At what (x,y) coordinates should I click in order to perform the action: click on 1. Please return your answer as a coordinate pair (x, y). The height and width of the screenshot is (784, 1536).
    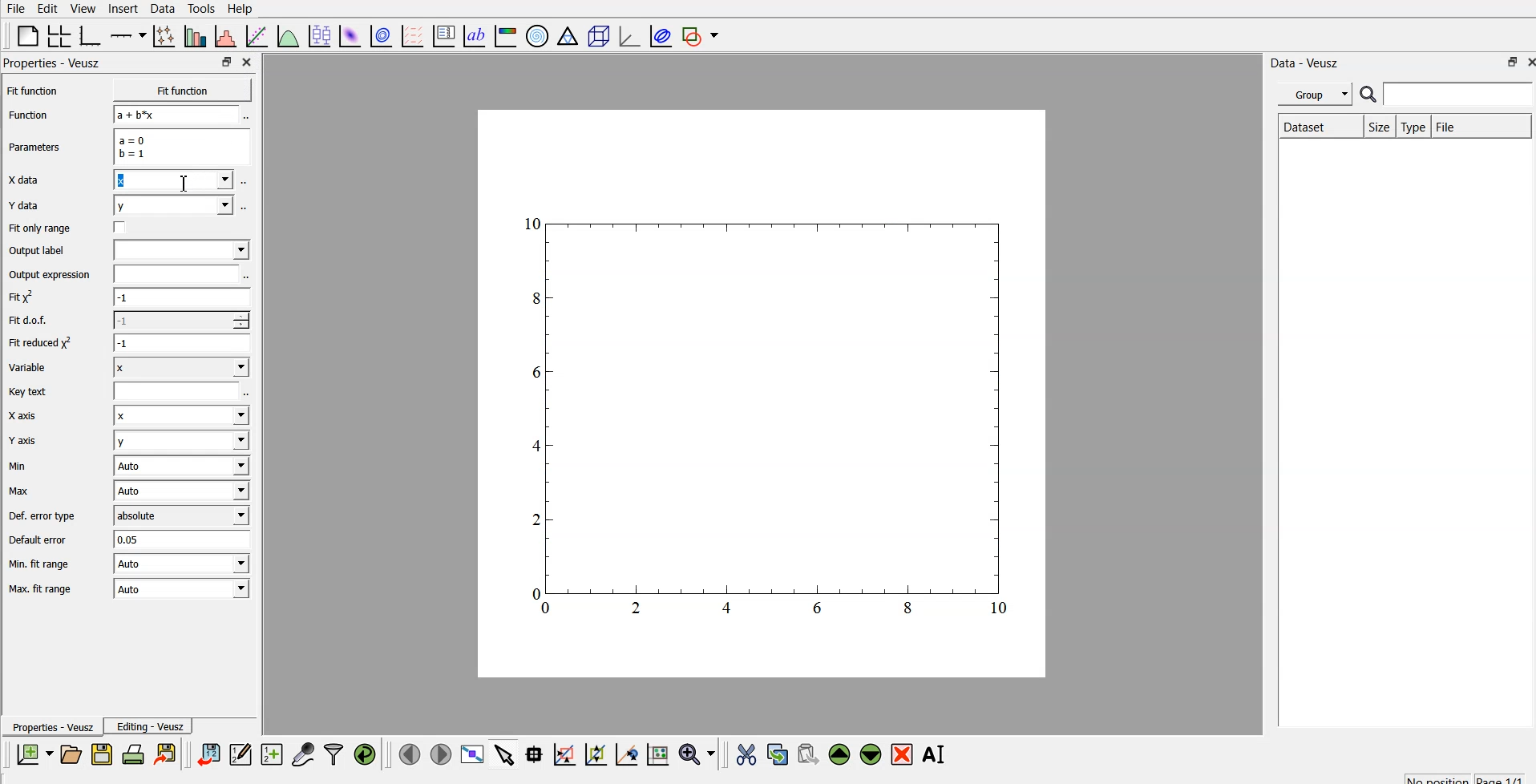
    Looking at the image, I should click on (184, 322).